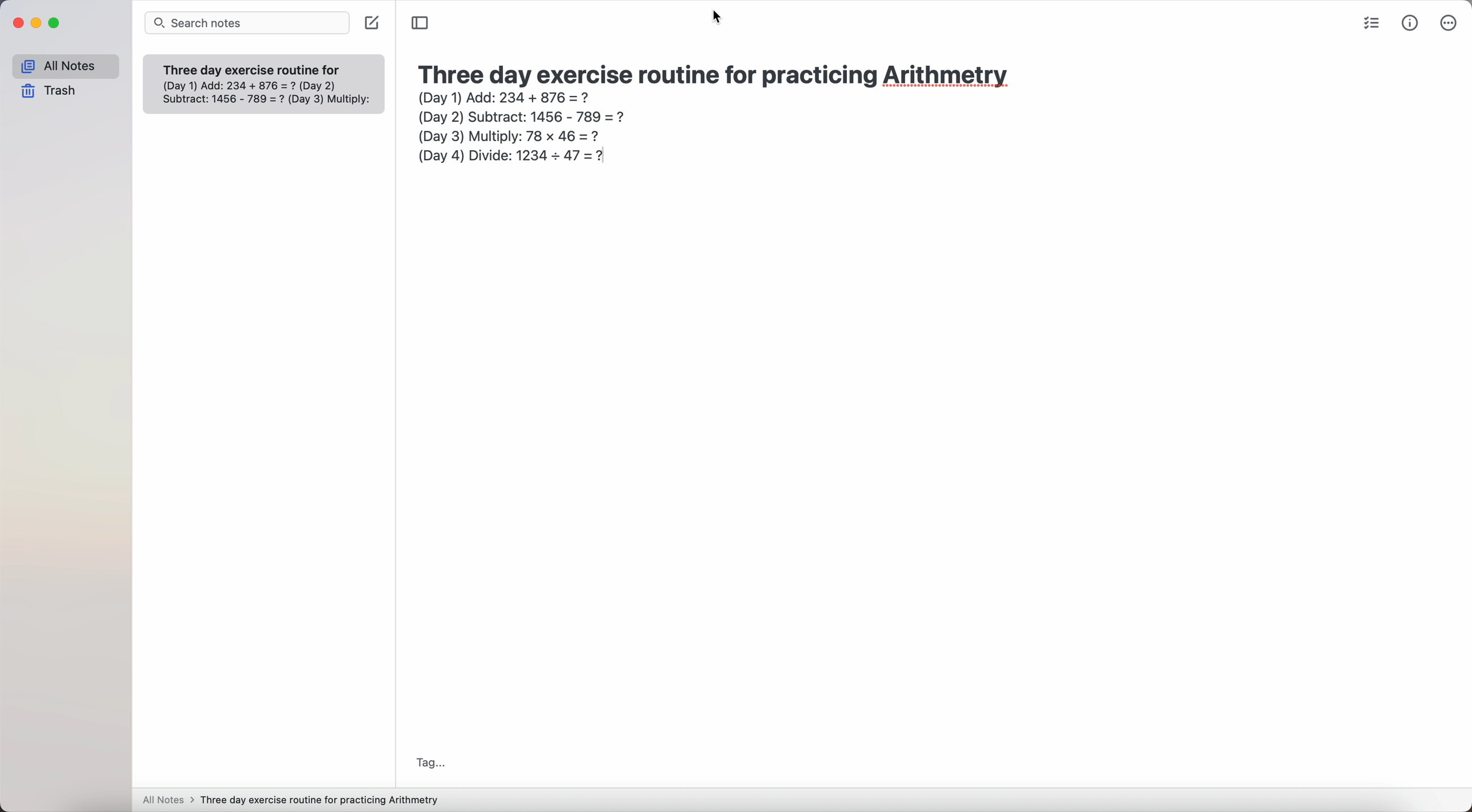 Image resolution: width=1472 pixels, height=812 pixels. Describe the element at coordinates (1370, 24) in the screenshot. I see `check list` at that location.